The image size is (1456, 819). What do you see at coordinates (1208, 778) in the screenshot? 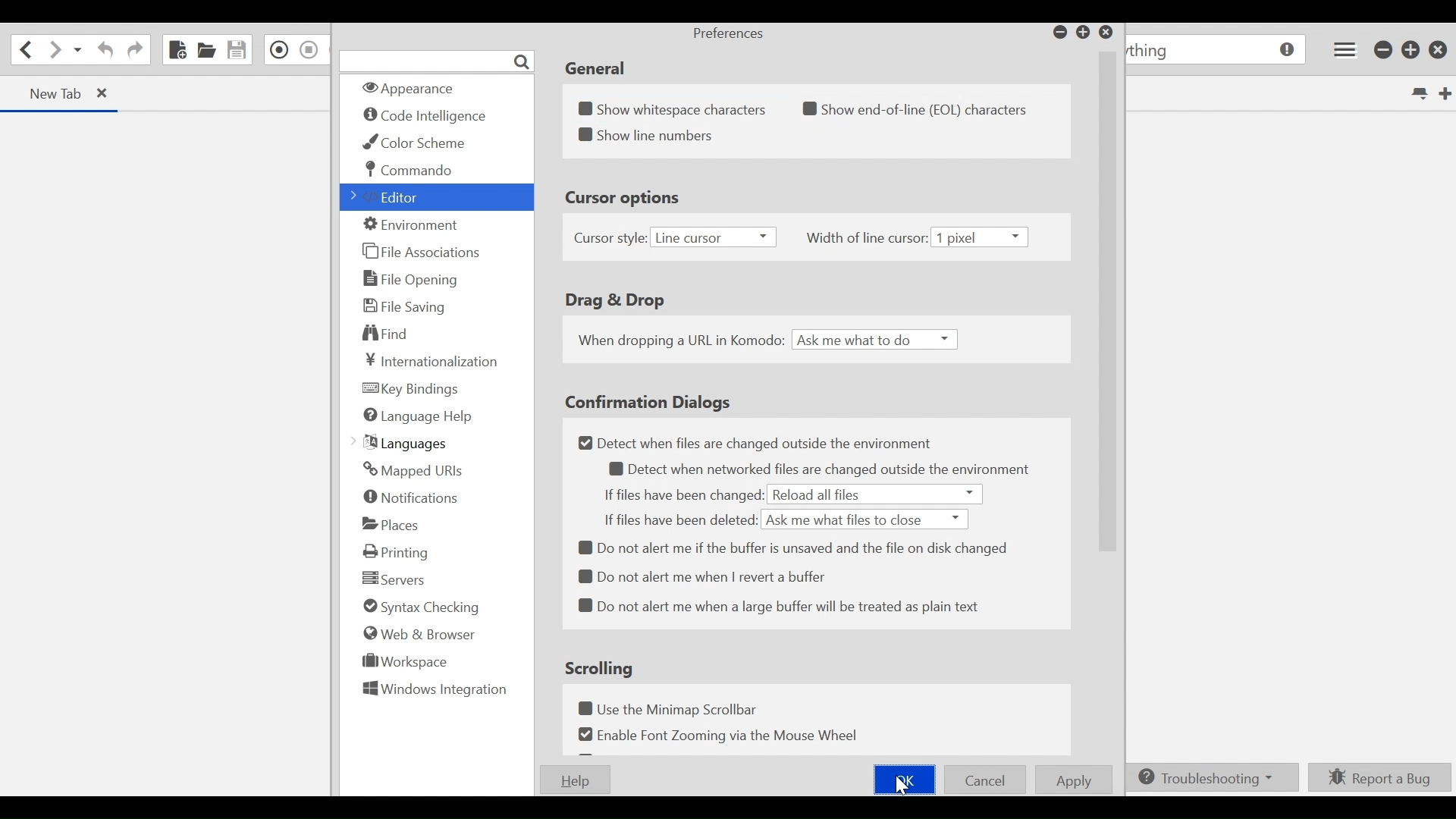
I see `Troubleshooting` at bounding box center [1208, 778].